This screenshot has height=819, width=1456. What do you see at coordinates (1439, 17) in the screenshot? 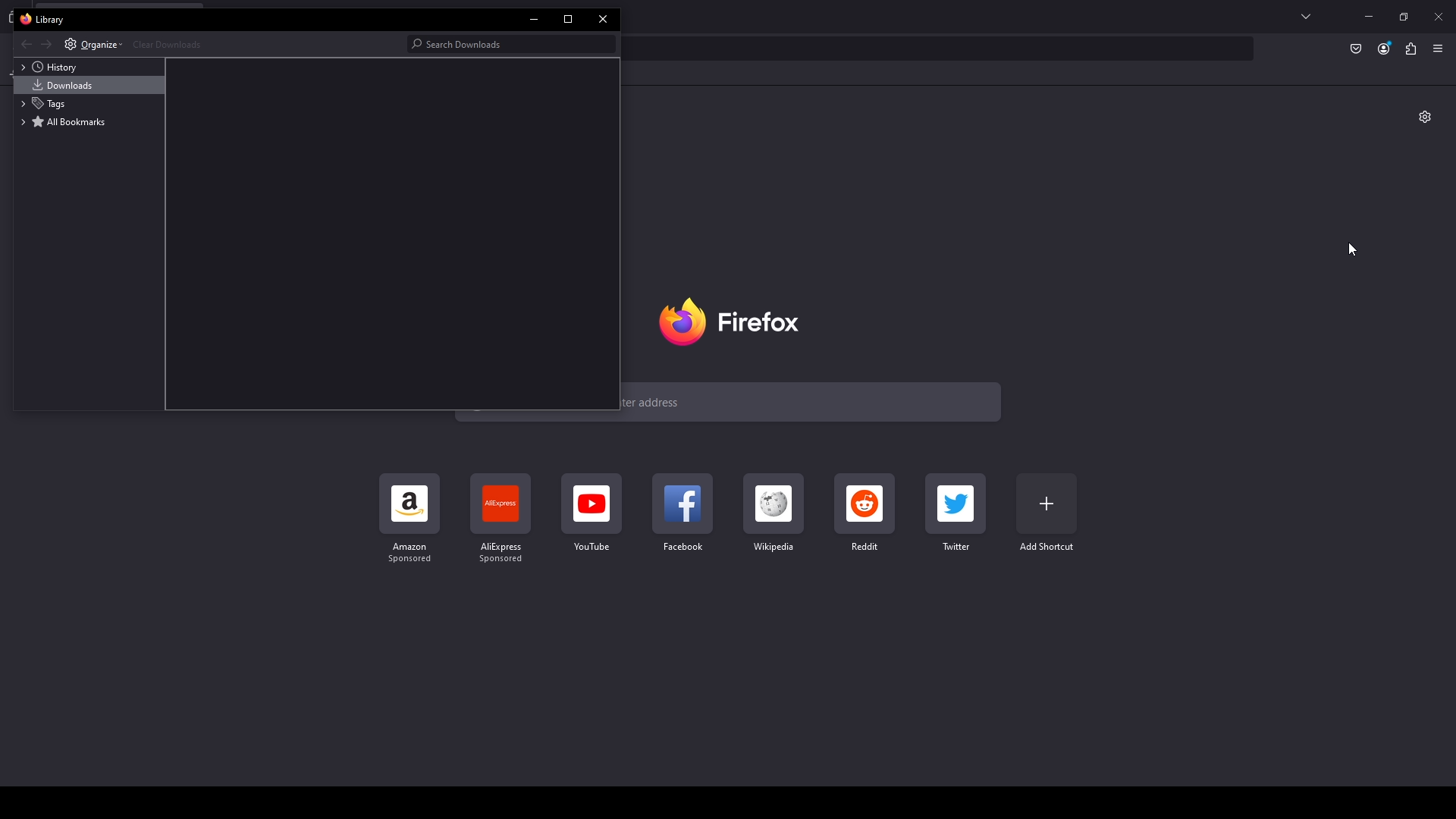
I see `Close ` at bounding box center [1439, 17].